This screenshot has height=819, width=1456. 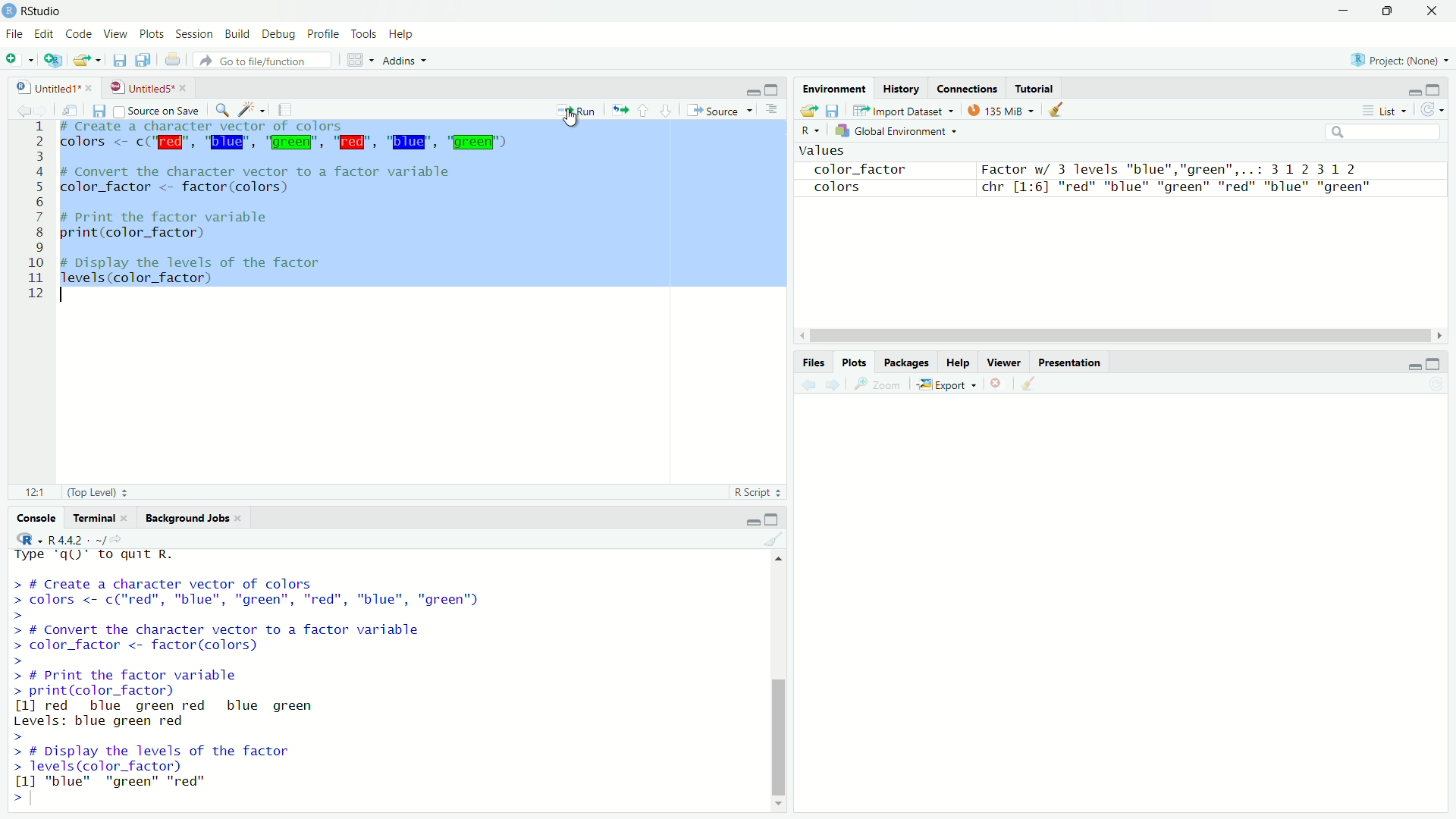 What do you see at coordinates (359, 60) in the screenshot?
I see `workspace panes` at bounding box center [359, 60].